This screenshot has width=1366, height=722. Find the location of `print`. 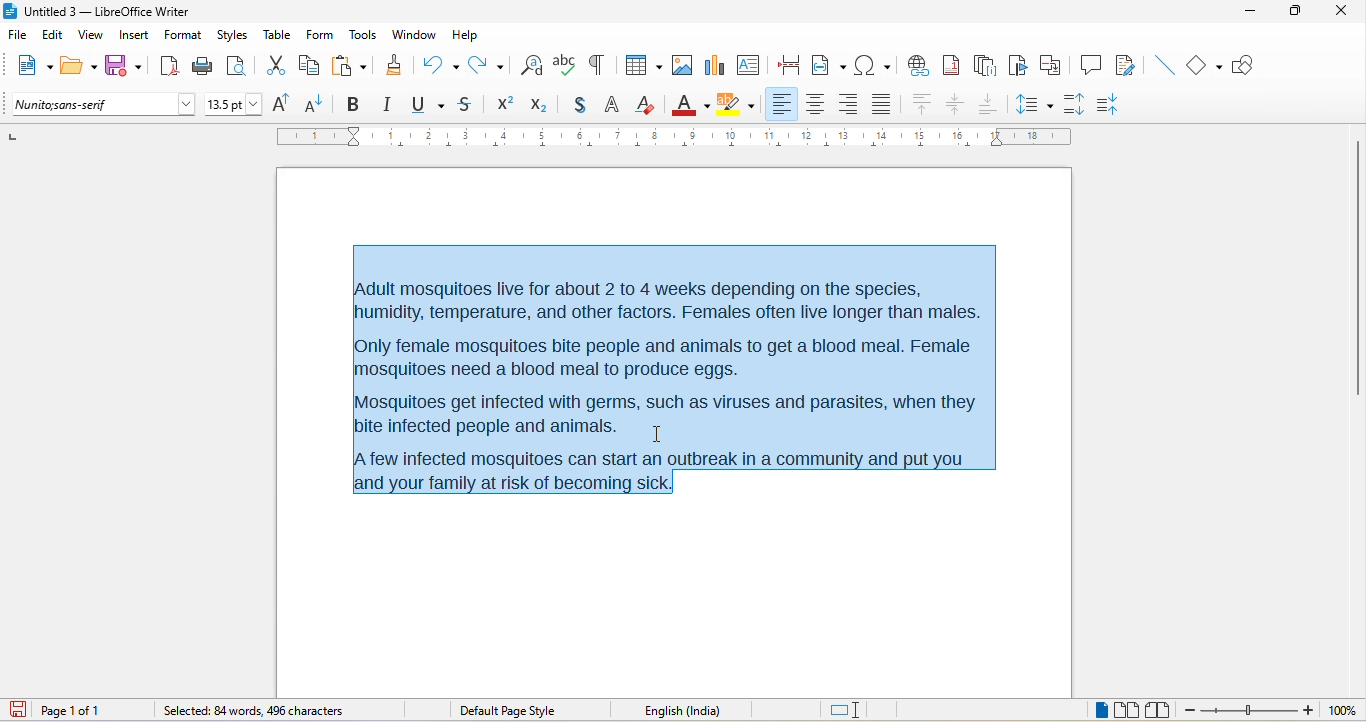

print is located at coordinates (203, 67).